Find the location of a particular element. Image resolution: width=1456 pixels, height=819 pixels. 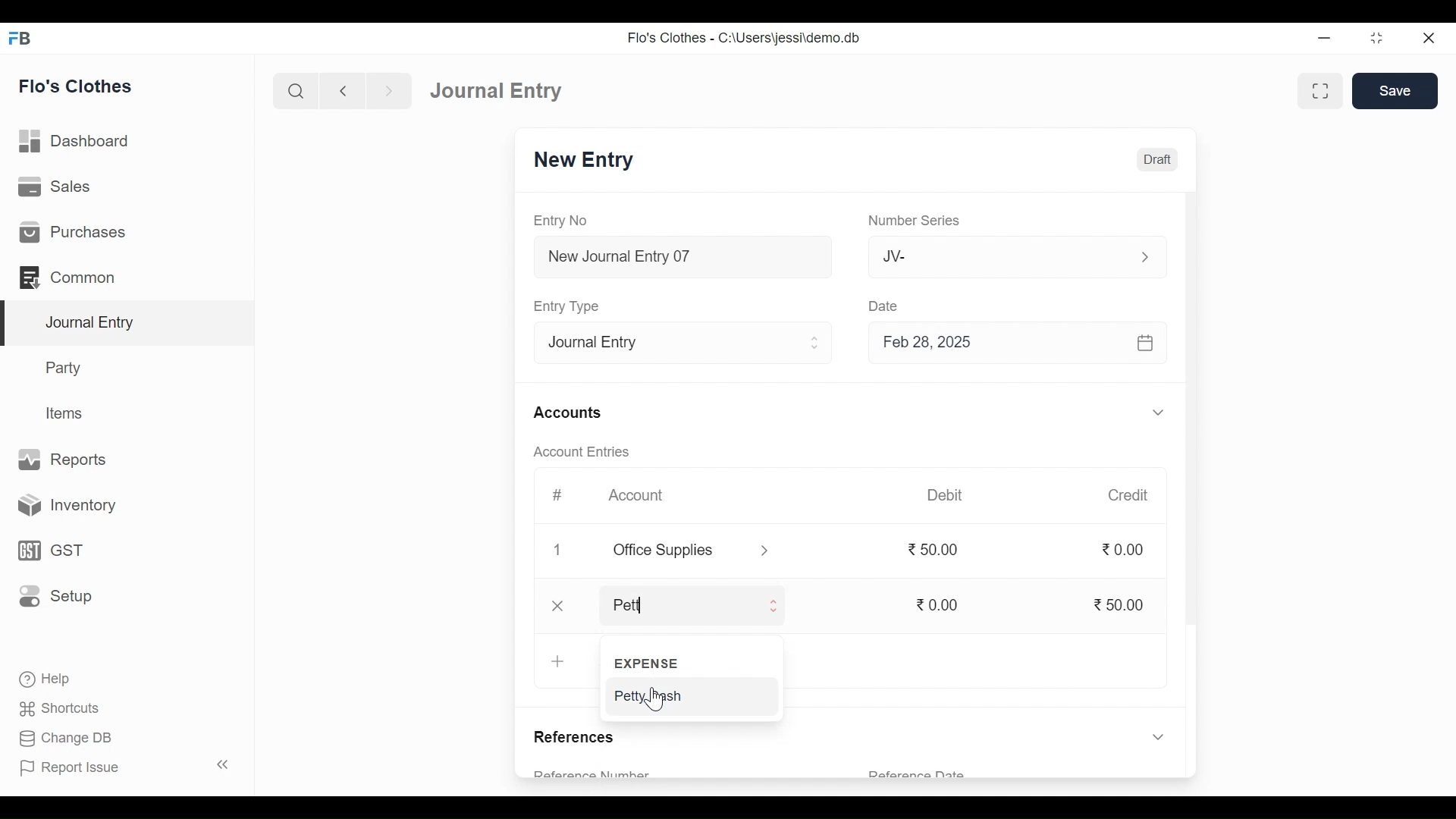

Toggle form and full width is located at coordinates (1320, 92).